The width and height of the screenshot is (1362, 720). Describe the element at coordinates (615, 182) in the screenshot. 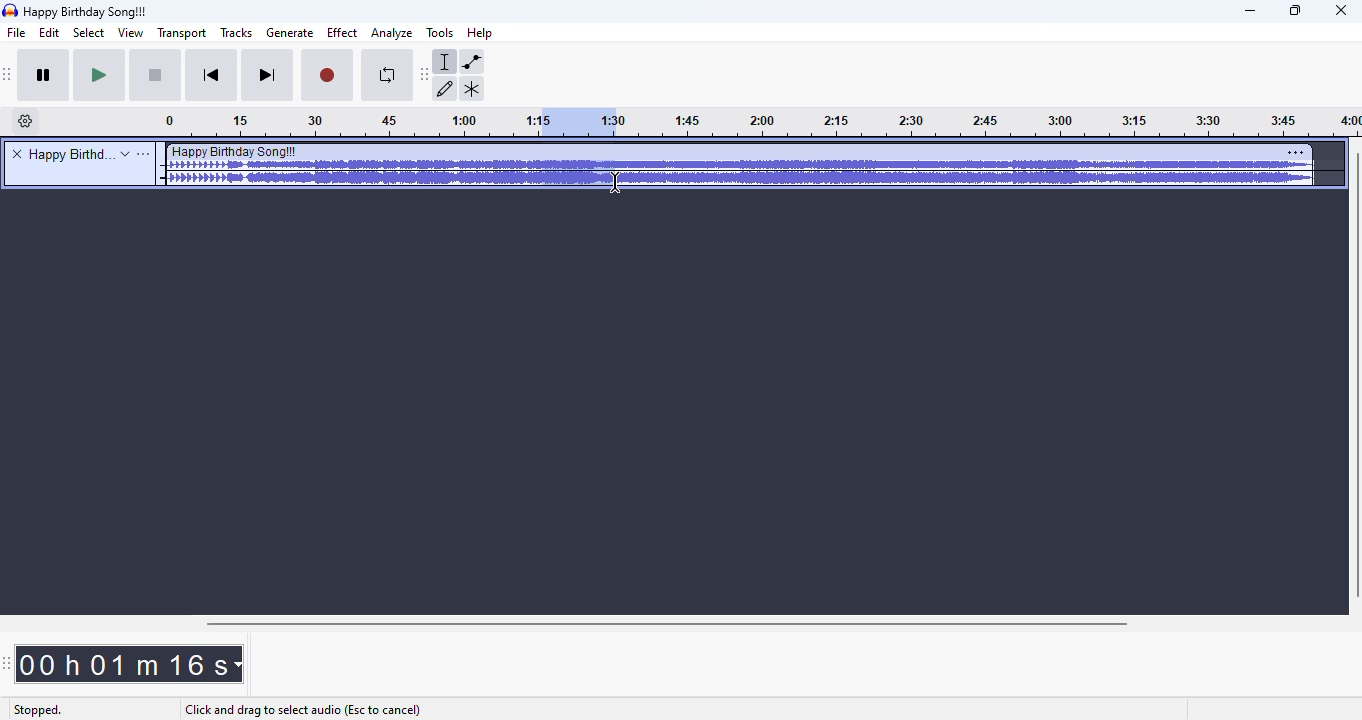

I see `I beam cursor` at that location.